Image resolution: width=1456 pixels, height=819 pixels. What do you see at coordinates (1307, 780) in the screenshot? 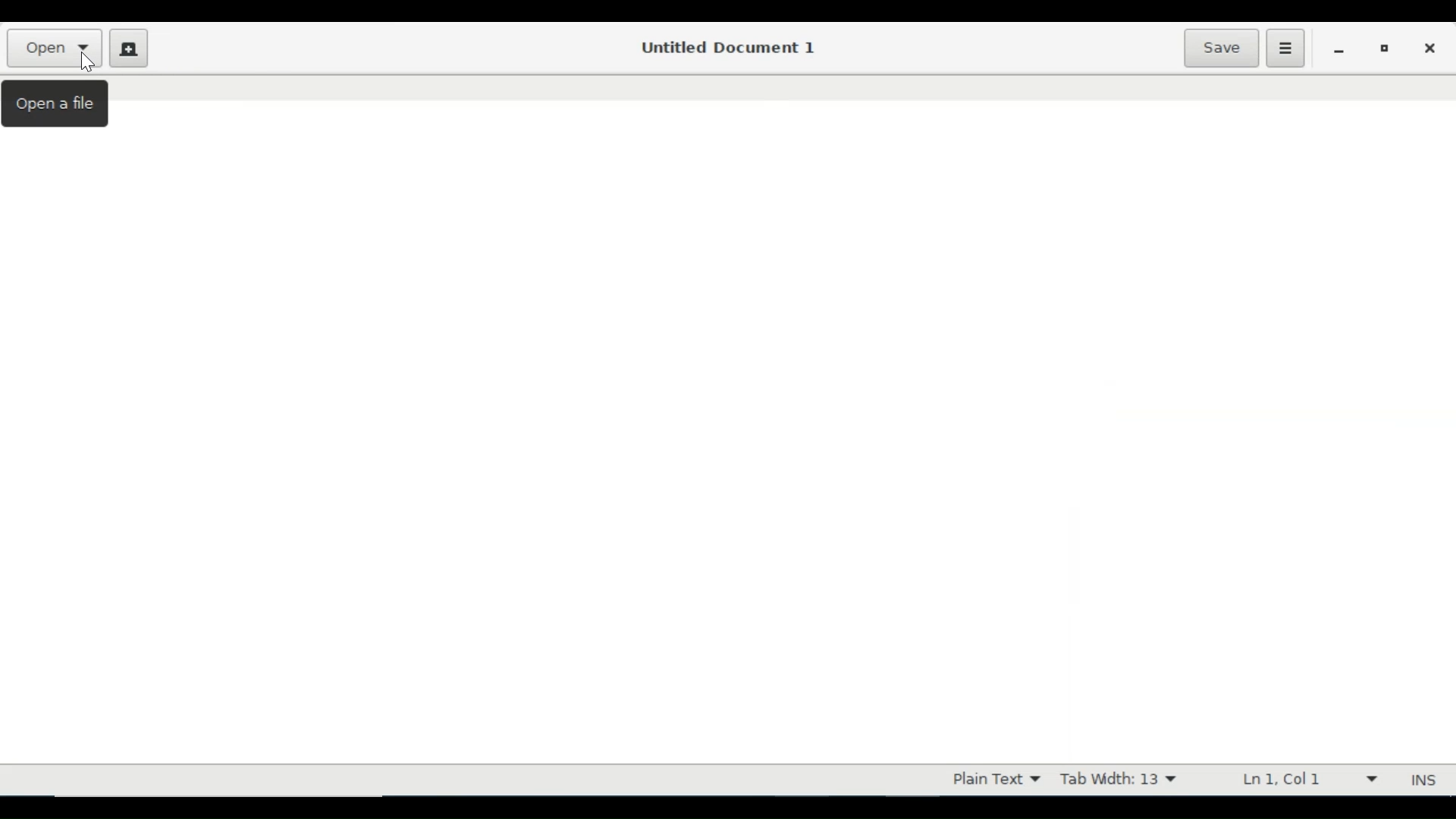
I see `Ln 1 Col 1` at bounding box center [1307, 780].